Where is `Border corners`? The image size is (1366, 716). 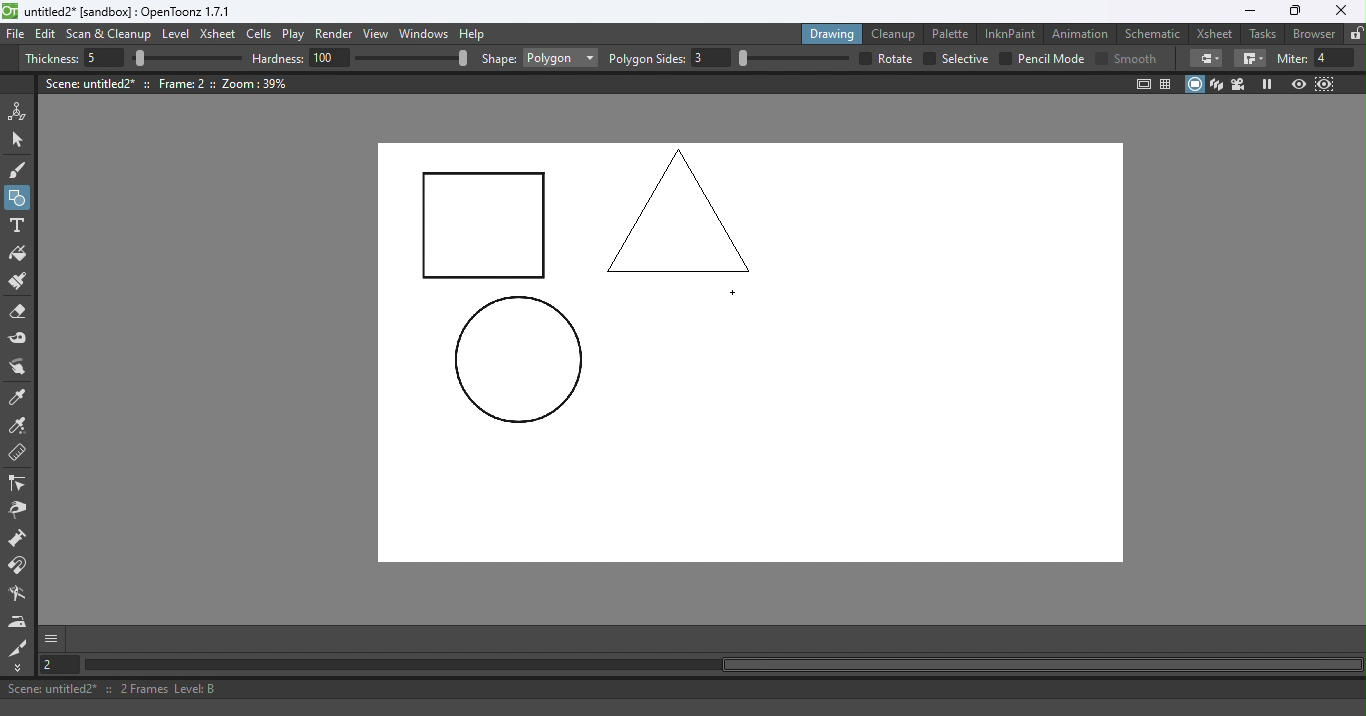 Border corners is located at coordinates (1250, 59).